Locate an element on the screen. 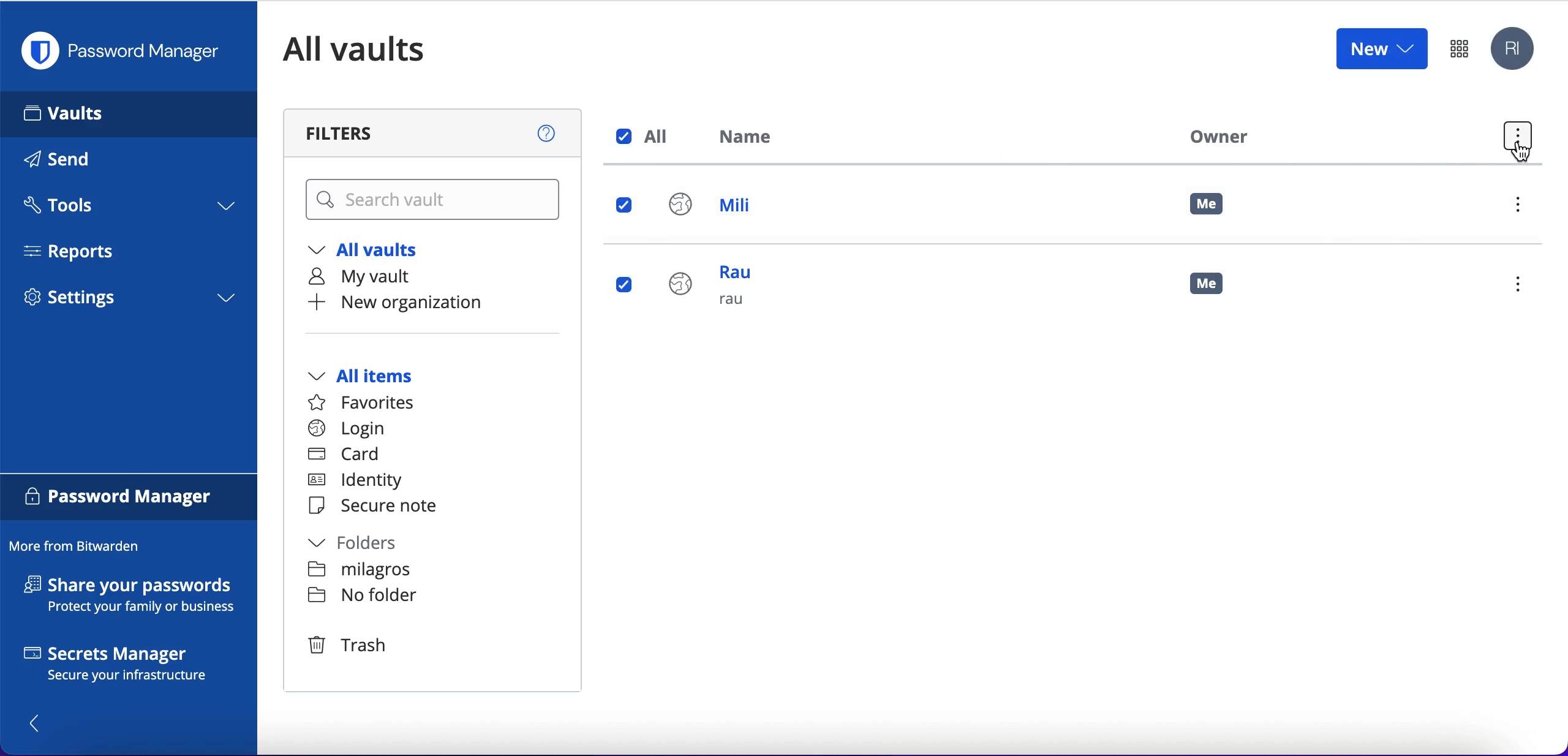  no folder is located at coordinates (362, 597).